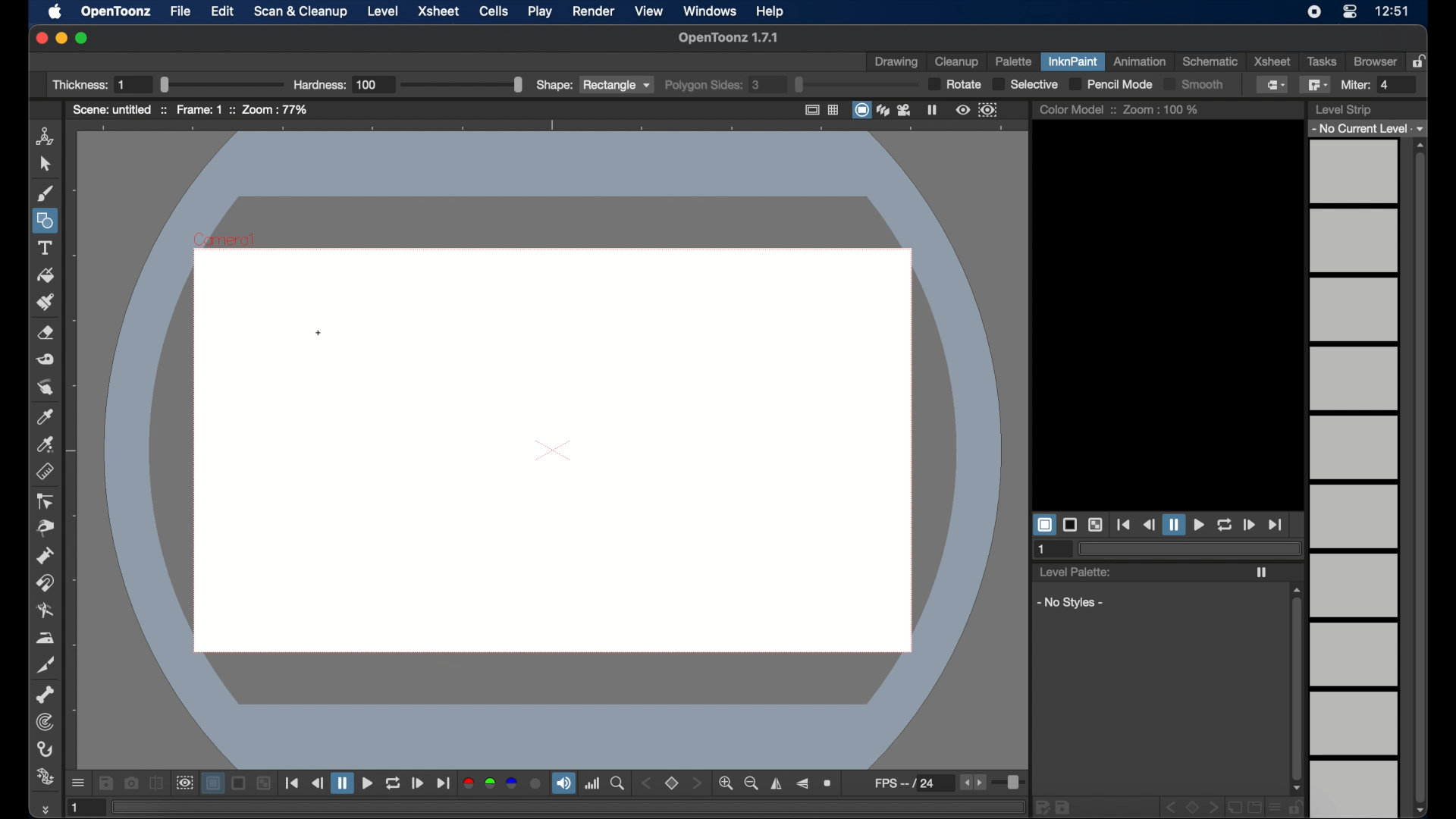  What do you see at coordinates (105, 783) in the screenshot?
I see `save images` at bounding box center [105, 783].